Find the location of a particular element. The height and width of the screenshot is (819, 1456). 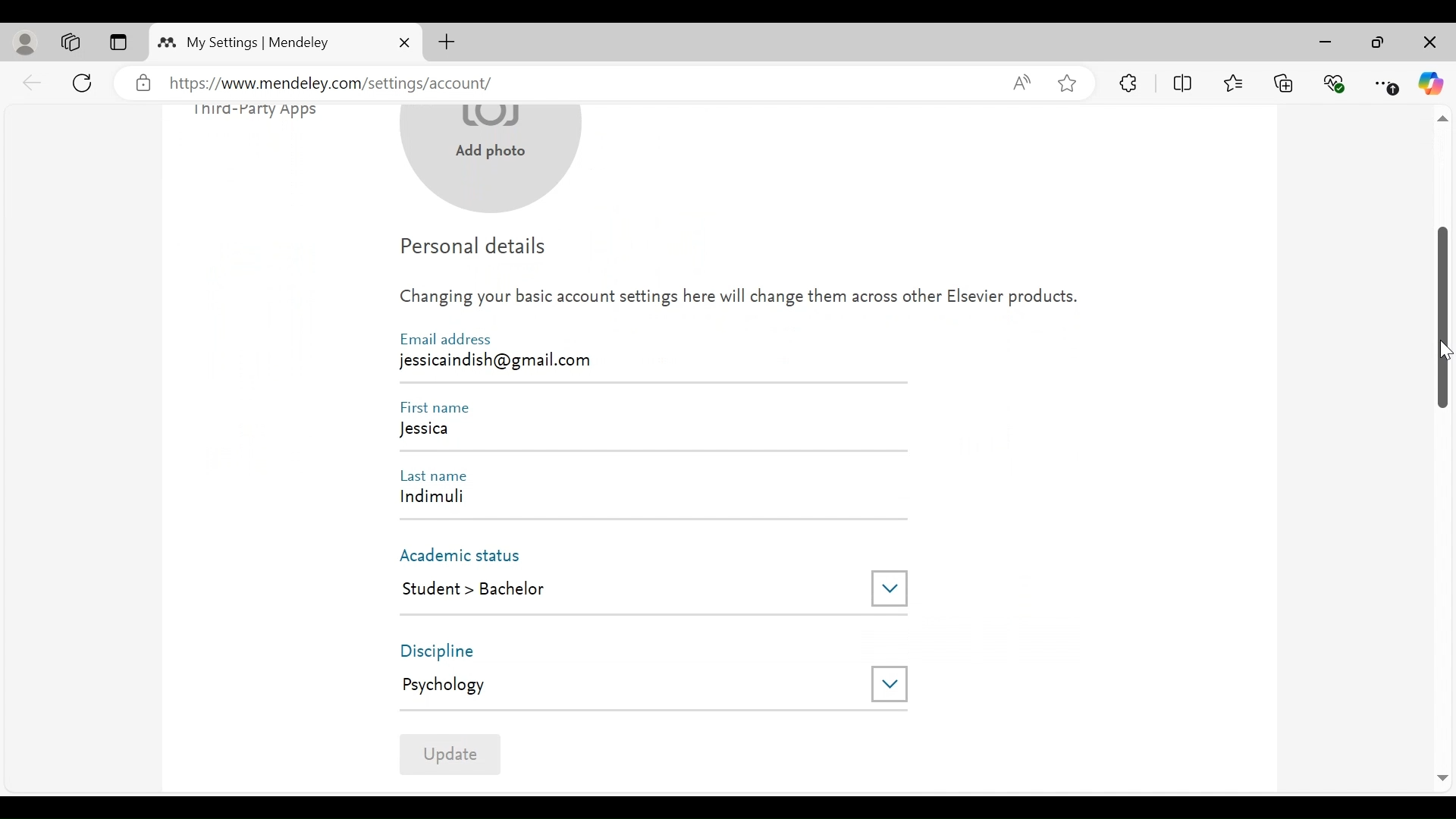

Scroll Down is located at coordinates (1442, 779).